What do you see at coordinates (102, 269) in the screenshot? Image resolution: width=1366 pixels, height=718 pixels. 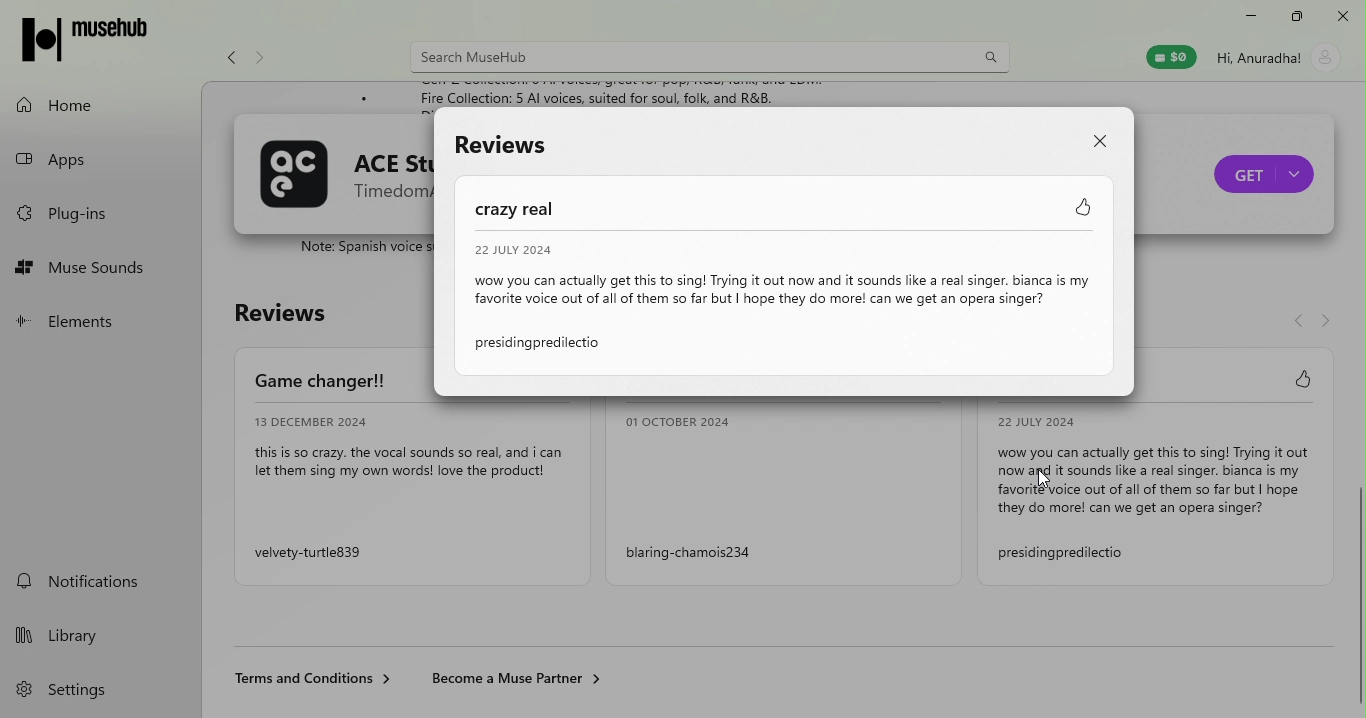 I see `muse sounds` at bounding box center [102, 269].